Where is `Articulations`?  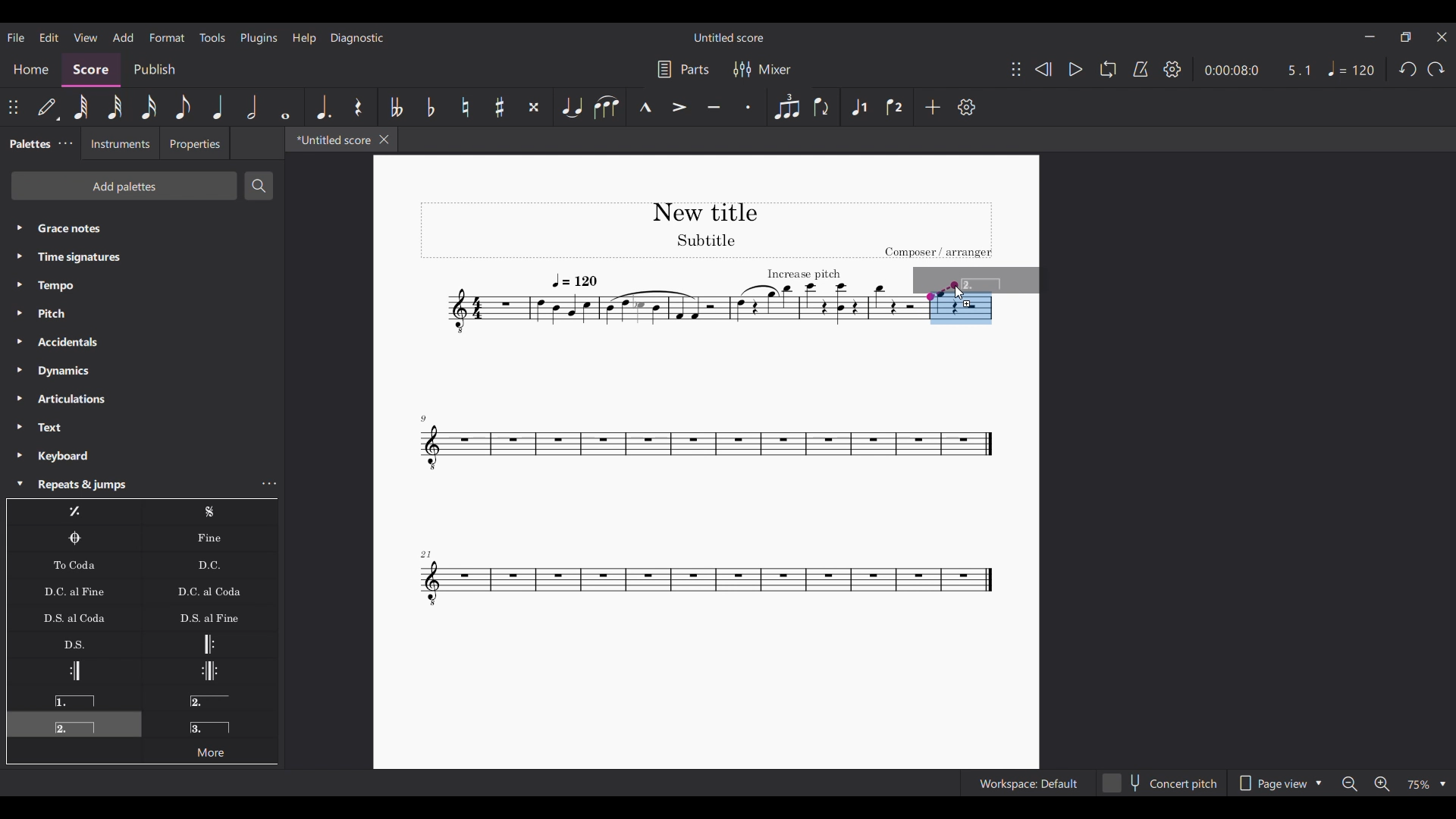
Articulations is located at coordinates (143, 399).